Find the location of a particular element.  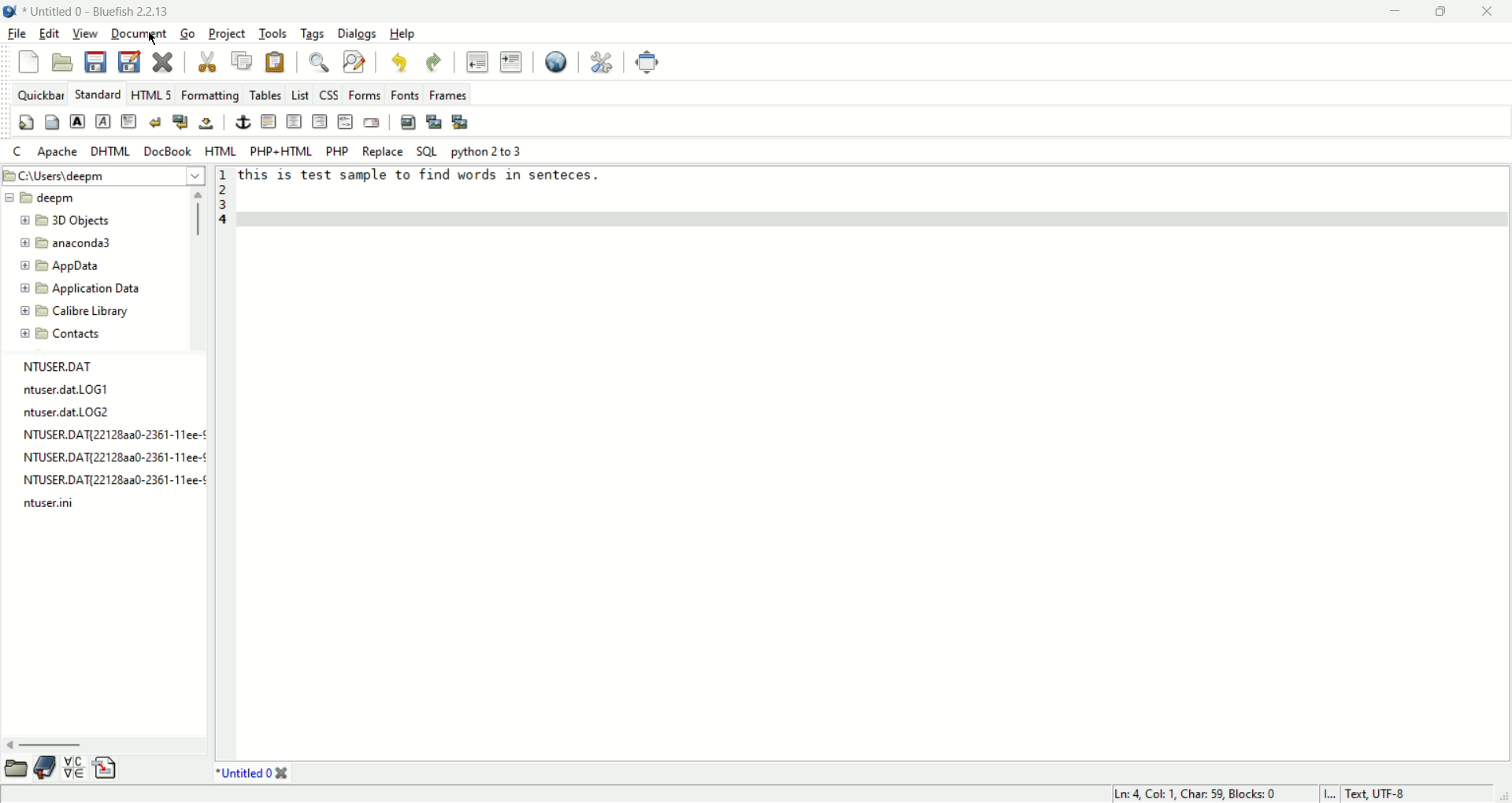

this is test sample to find words in senteces. is located at coordinates (418, 175).